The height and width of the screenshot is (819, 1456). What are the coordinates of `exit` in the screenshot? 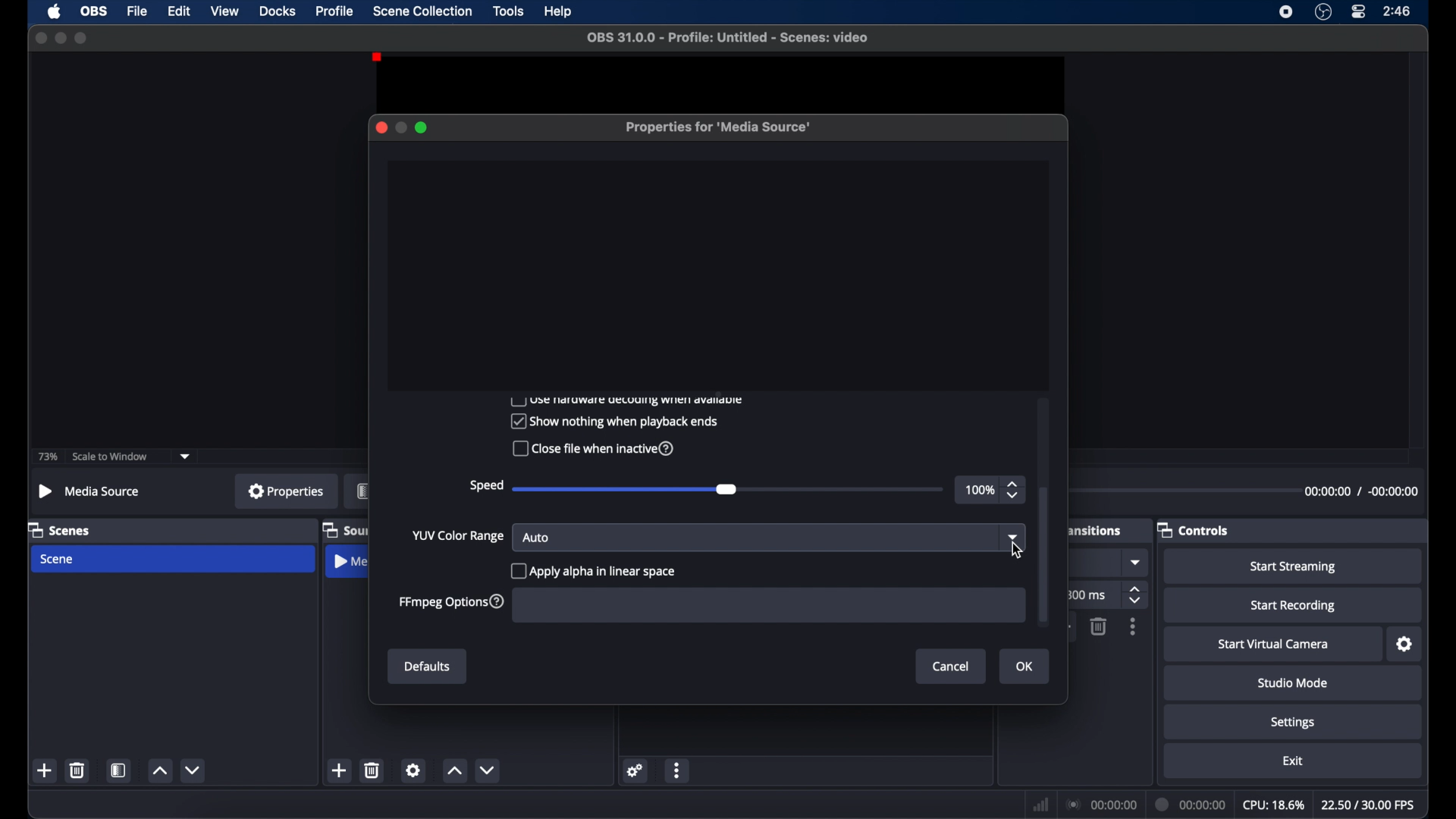 It's located at (1293, 761).